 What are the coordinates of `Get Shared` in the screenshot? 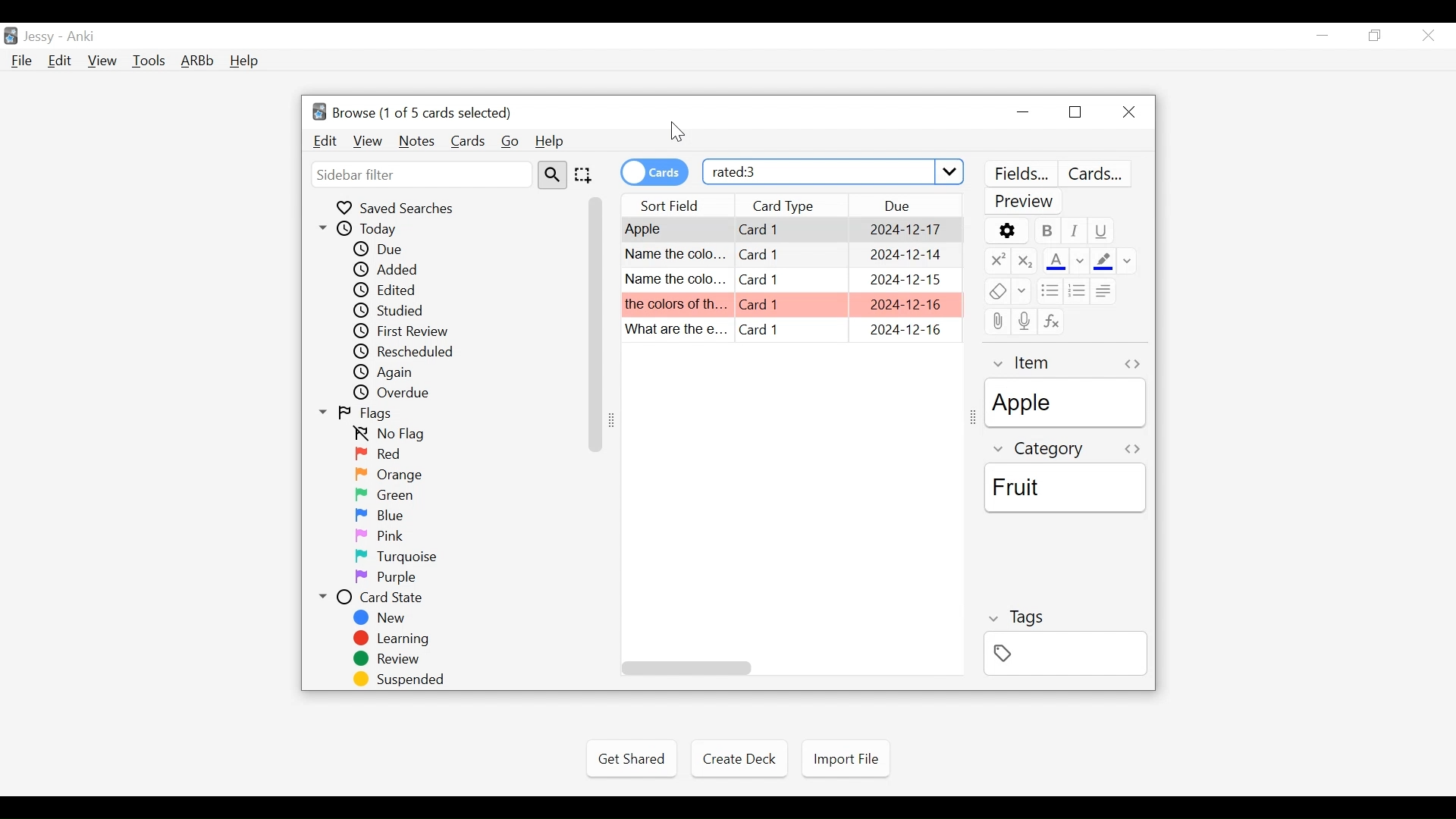 It's located at (632, 758).